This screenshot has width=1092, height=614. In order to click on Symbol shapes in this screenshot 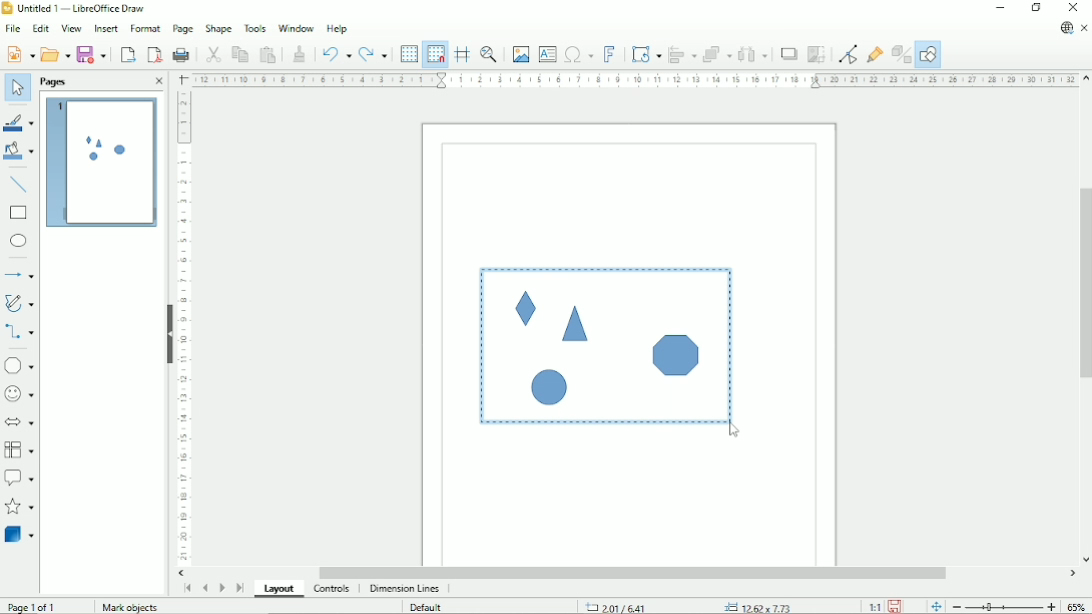, I will do `click(19, 394)`.